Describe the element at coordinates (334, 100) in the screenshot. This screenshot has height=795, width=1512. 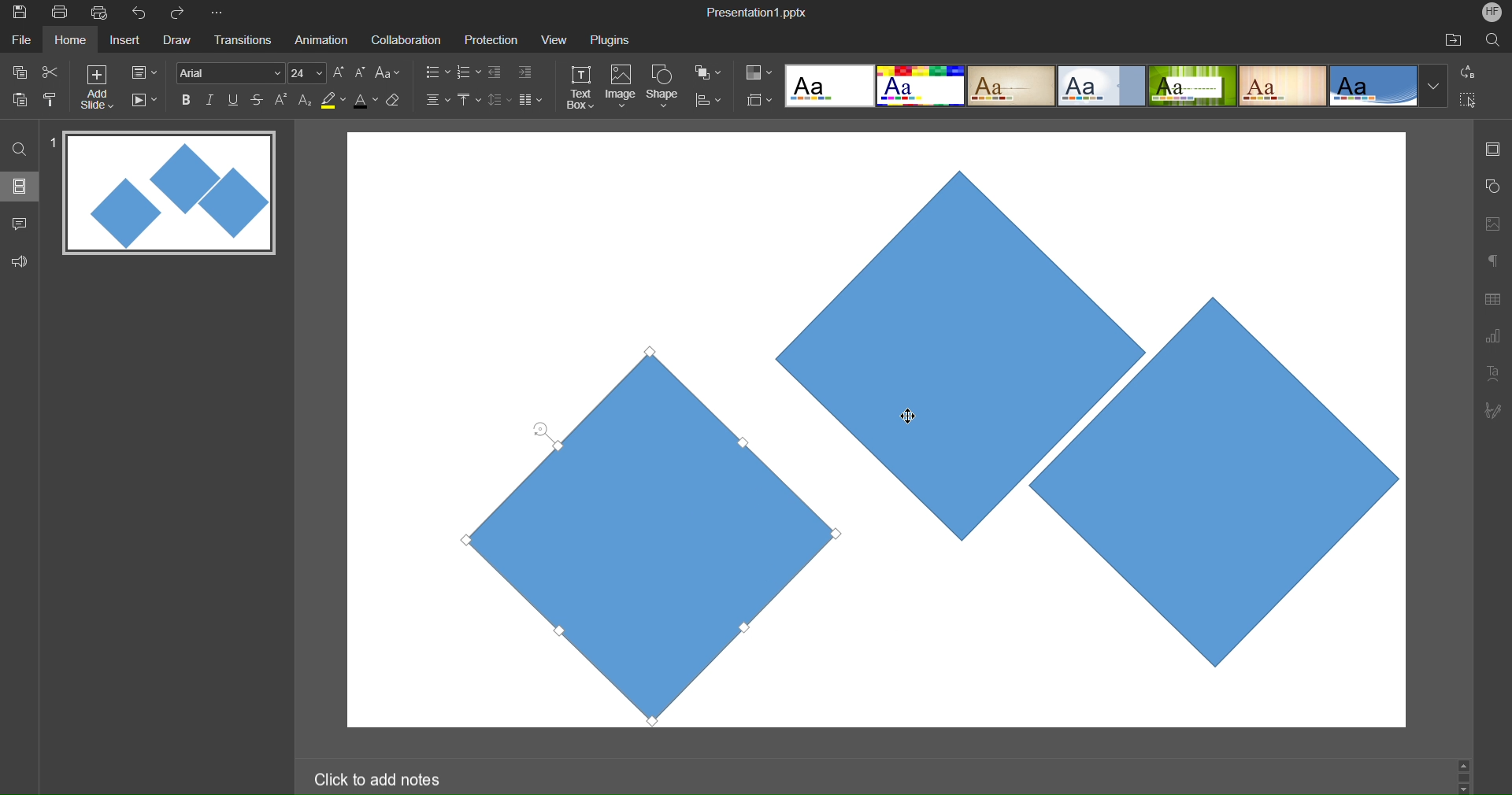
I see `Highlight` at that location.